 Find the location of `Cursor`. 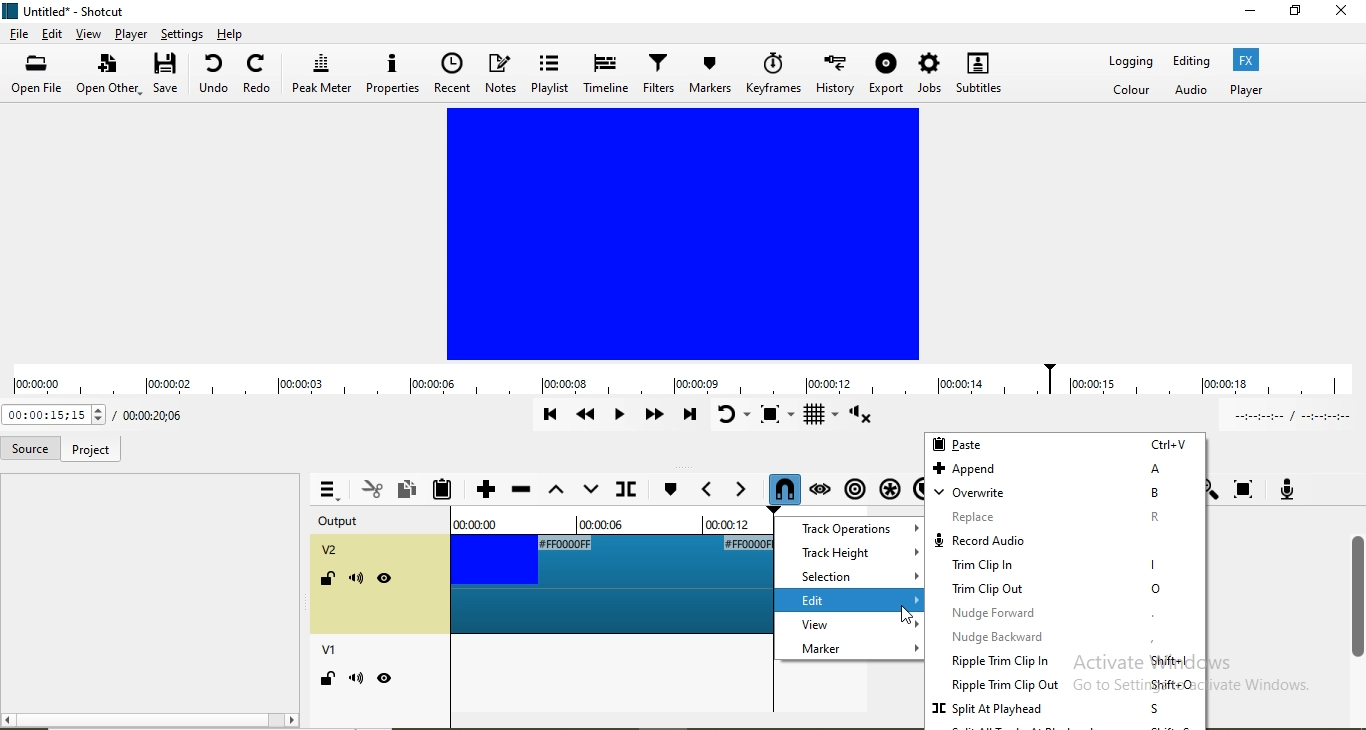

Cursor is located at coordinates (904, 611).